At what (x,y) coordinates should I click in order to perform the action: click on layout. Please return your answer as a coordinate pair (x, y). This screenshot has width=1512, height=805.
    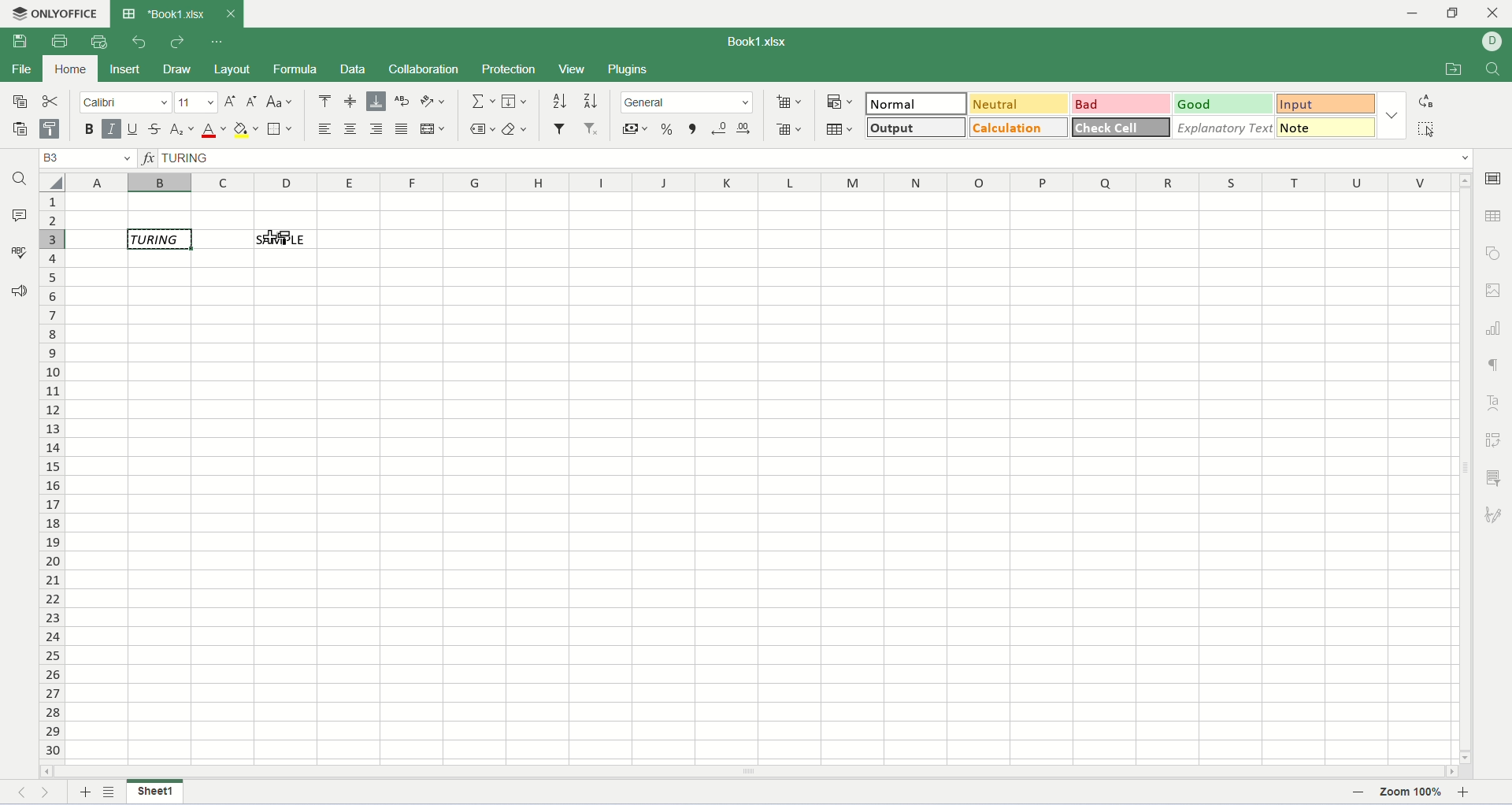
    Looking at the image, I should click on (235, 72).